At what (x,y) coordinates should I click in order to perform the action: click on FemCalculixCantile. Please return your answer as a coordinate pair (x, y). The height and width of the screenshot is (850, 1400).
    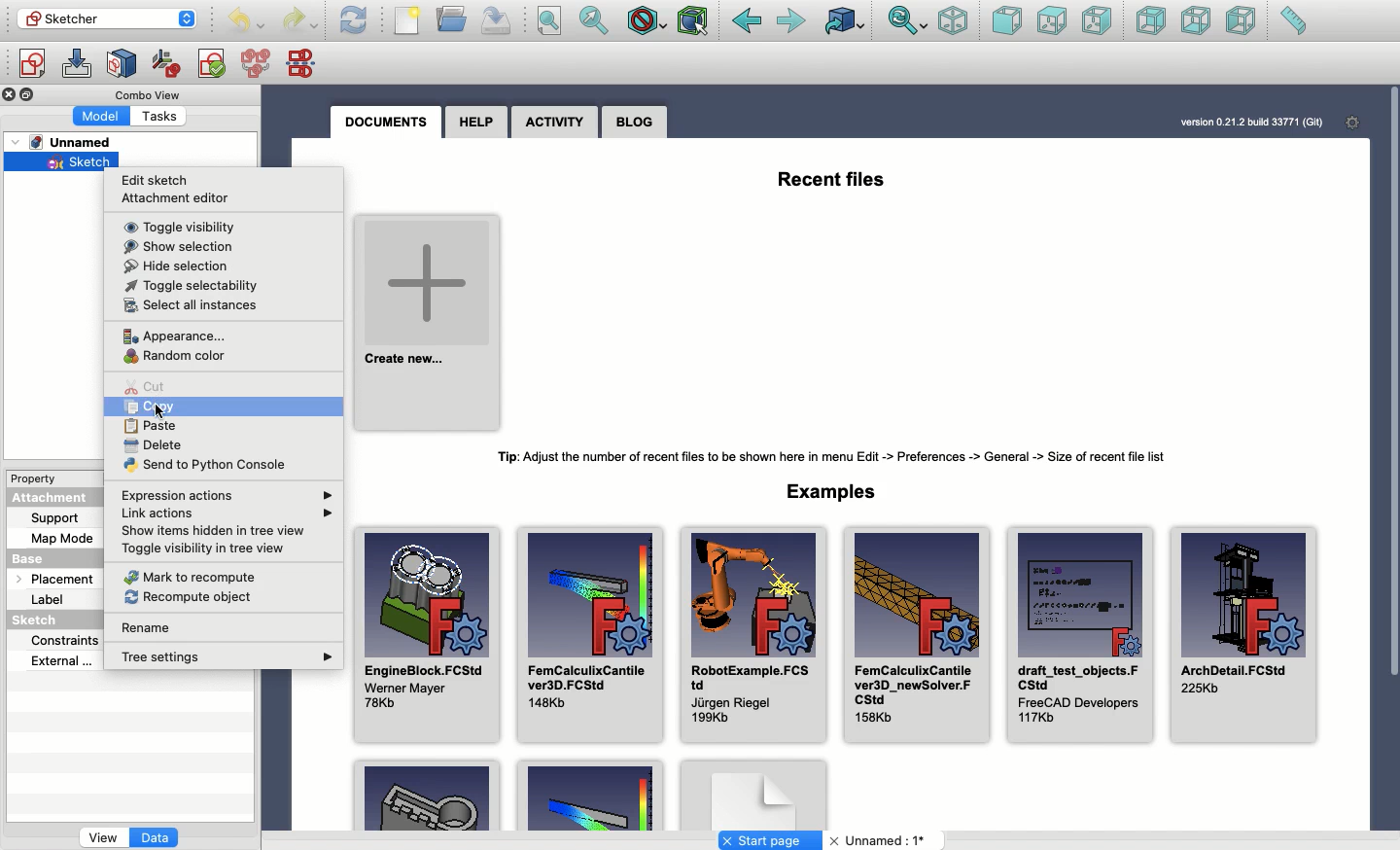
    Looking at the image, I should click on (589, 632).